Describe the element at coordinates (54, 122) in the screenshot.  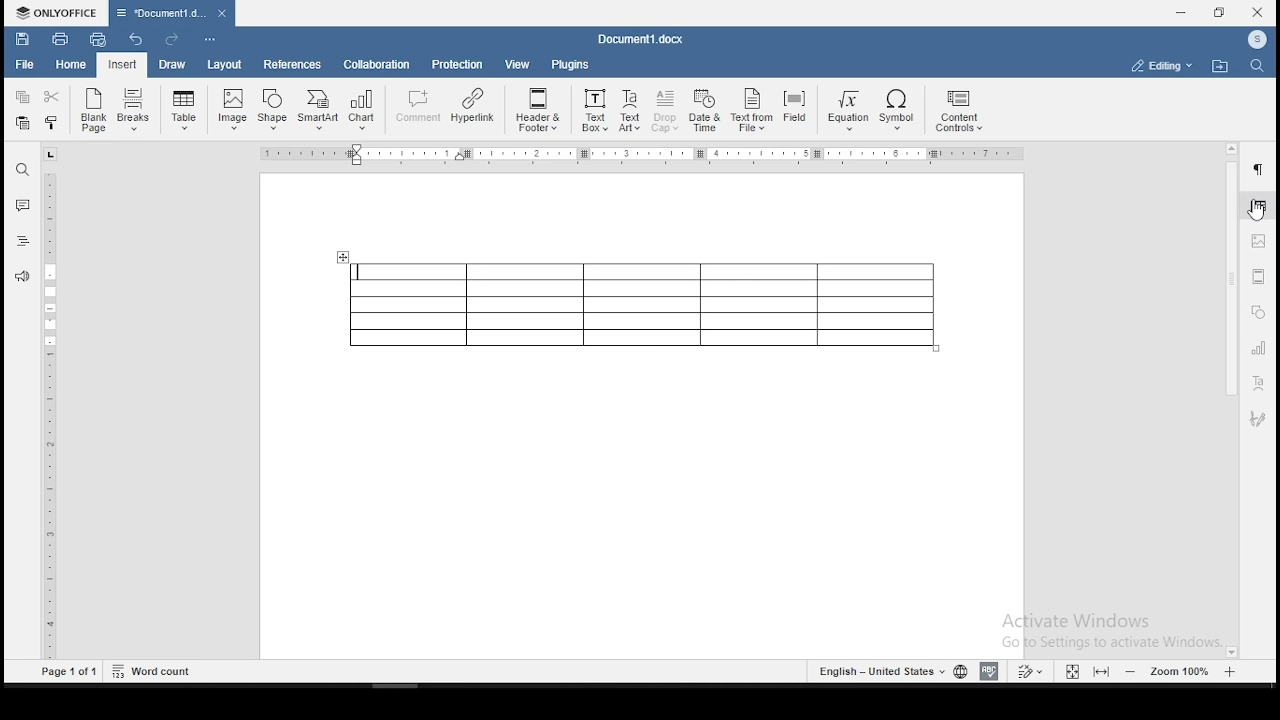
I see `copy formatting` at that location.